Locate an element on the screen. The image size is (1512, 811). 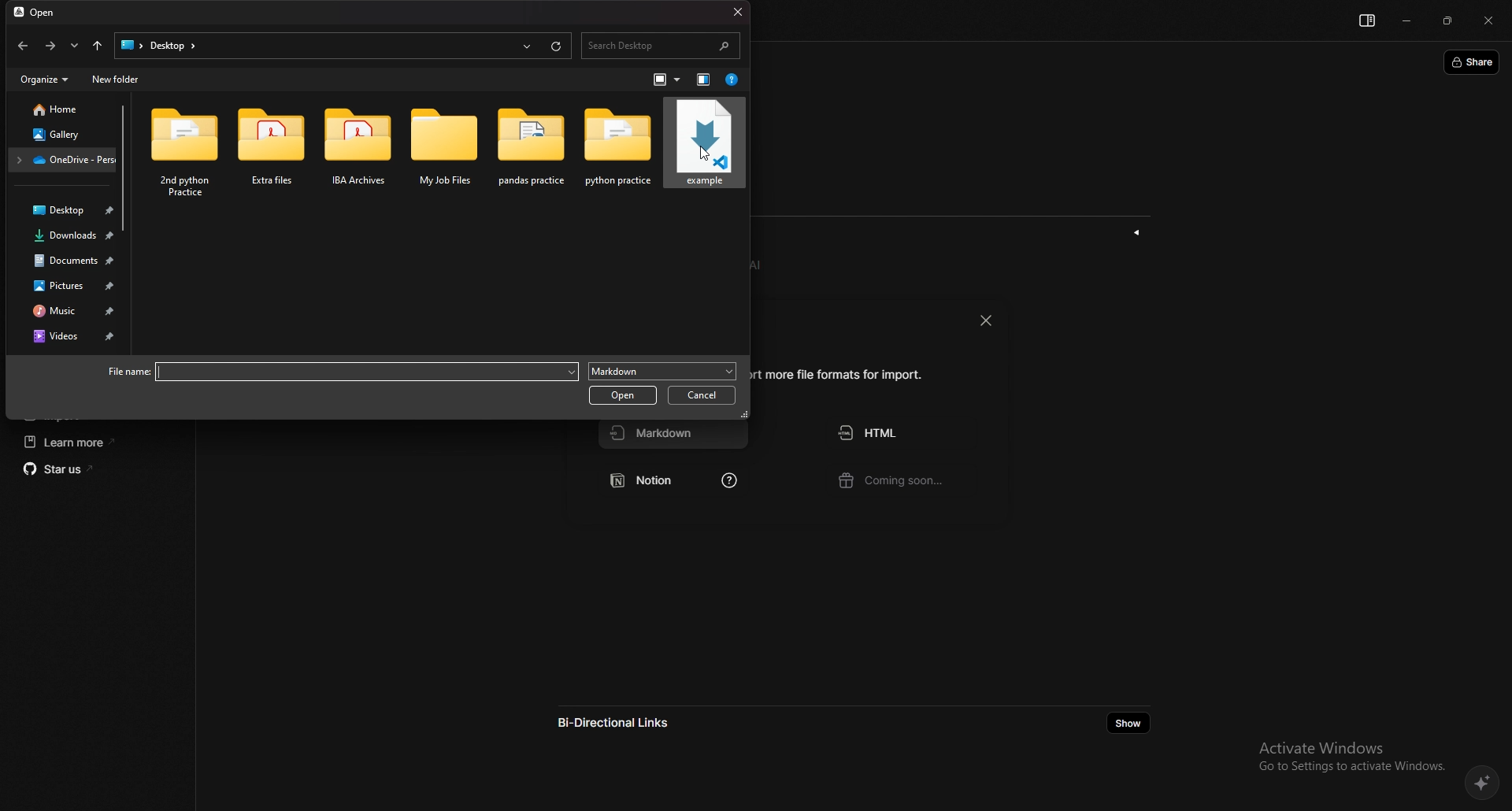
affine AI is located at coordinates (1483, 782).